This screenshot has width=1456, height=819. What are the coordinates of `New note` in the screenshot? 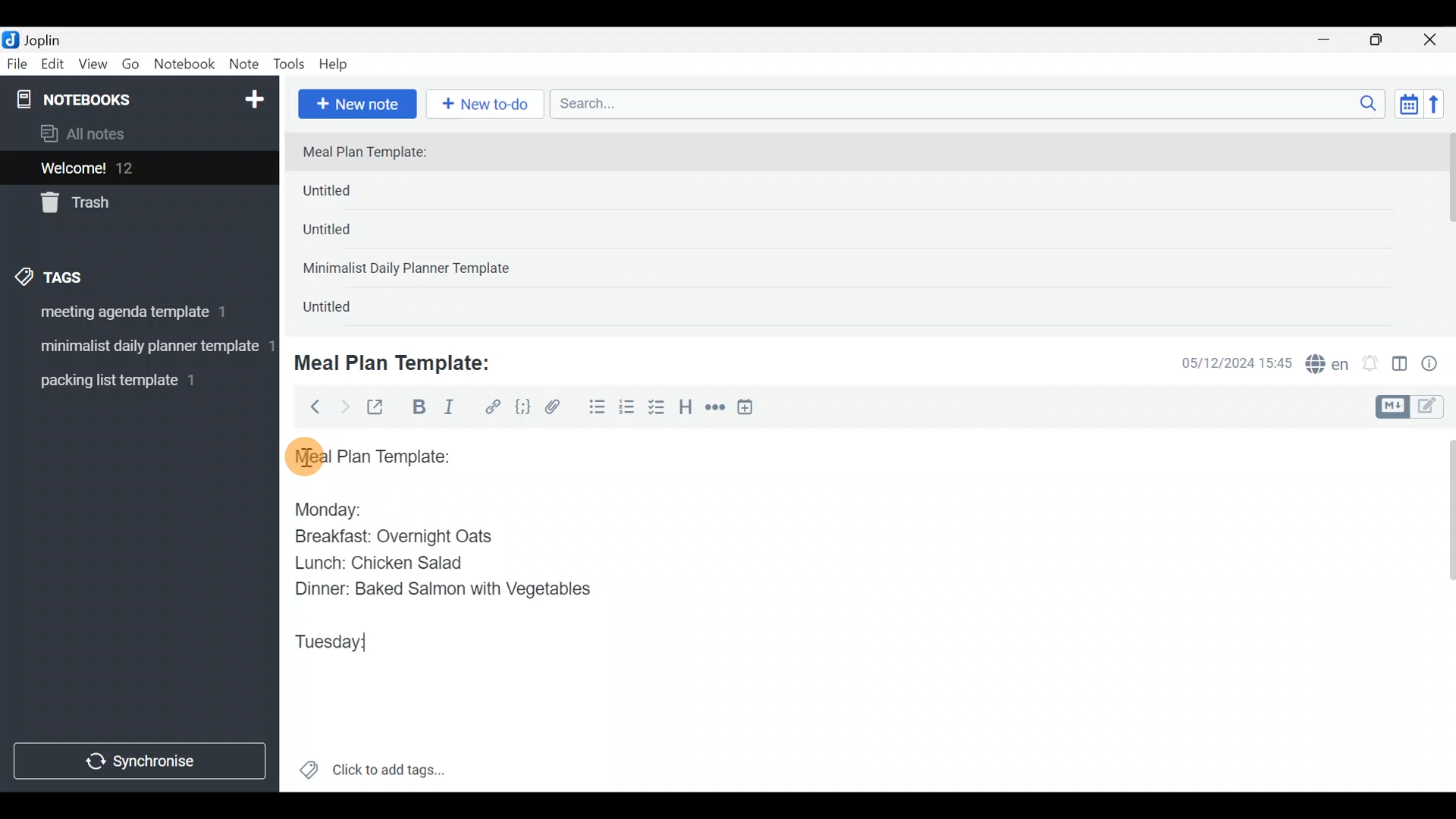 It's located at (356, 102).